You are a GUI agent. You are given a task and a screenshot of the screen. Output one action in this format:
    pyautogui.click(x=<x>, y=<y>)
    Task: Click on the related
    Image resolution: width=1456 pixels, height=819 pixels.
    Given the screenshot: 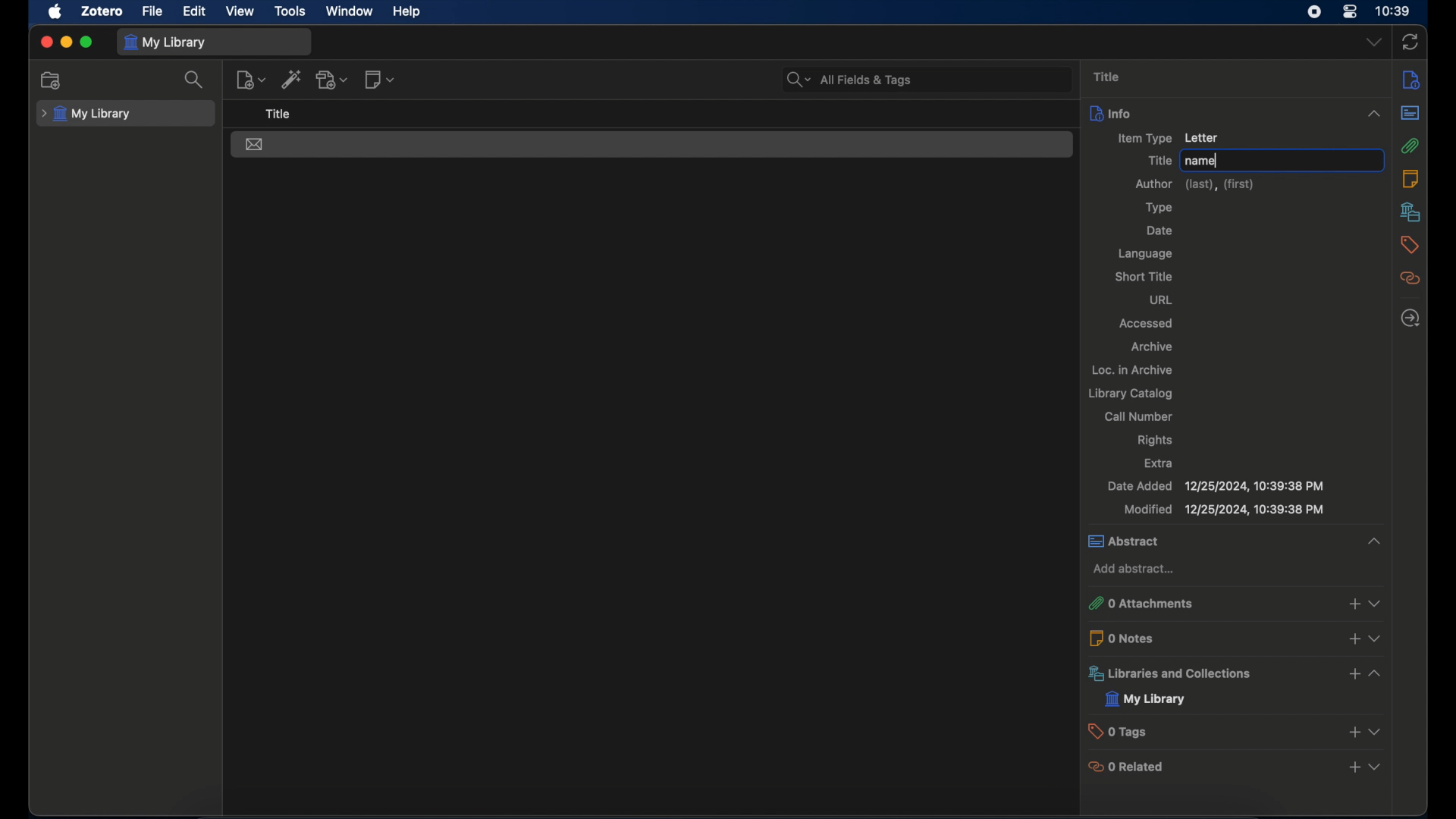 What is the action you would take?
    pyautogui.click(x=1411, y=278)
    